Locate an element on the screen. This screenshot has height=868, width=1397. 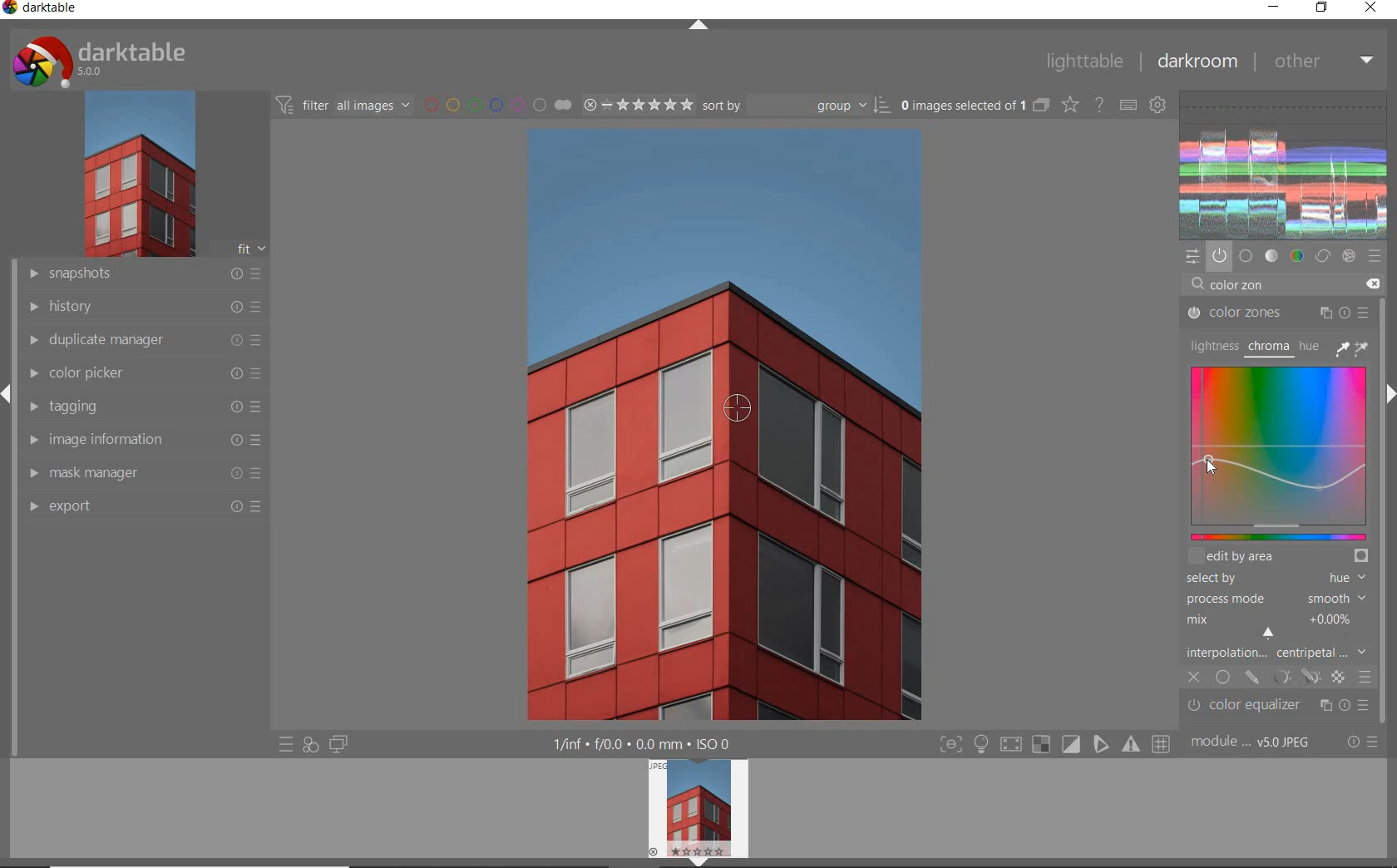
PICKER TOOLS is located at coordinates (1354, 348).